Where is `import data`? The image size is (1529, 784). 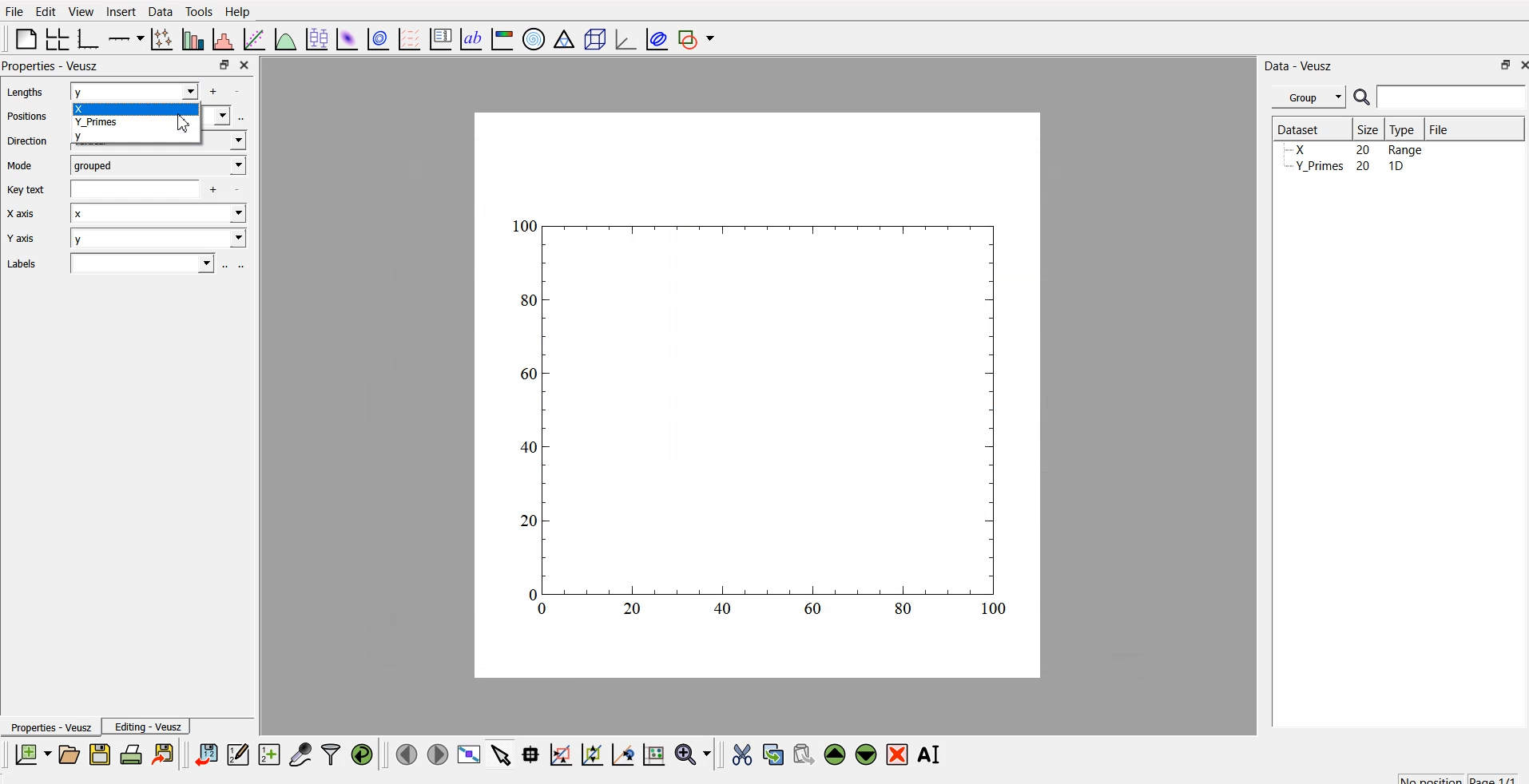
import data is located at coordinates (207, 752).